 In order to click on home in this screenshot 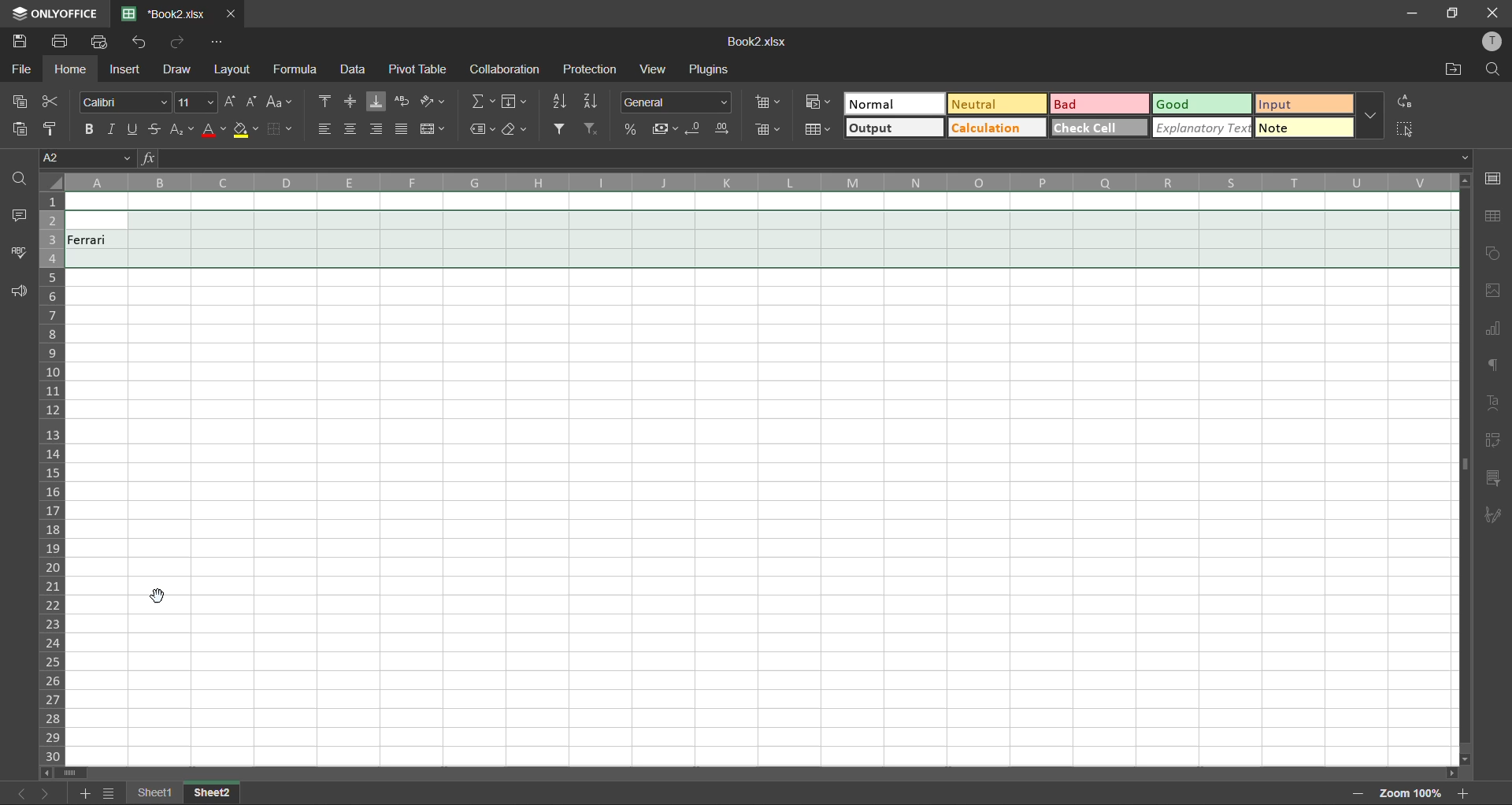, I will do `click(72, 69)`.